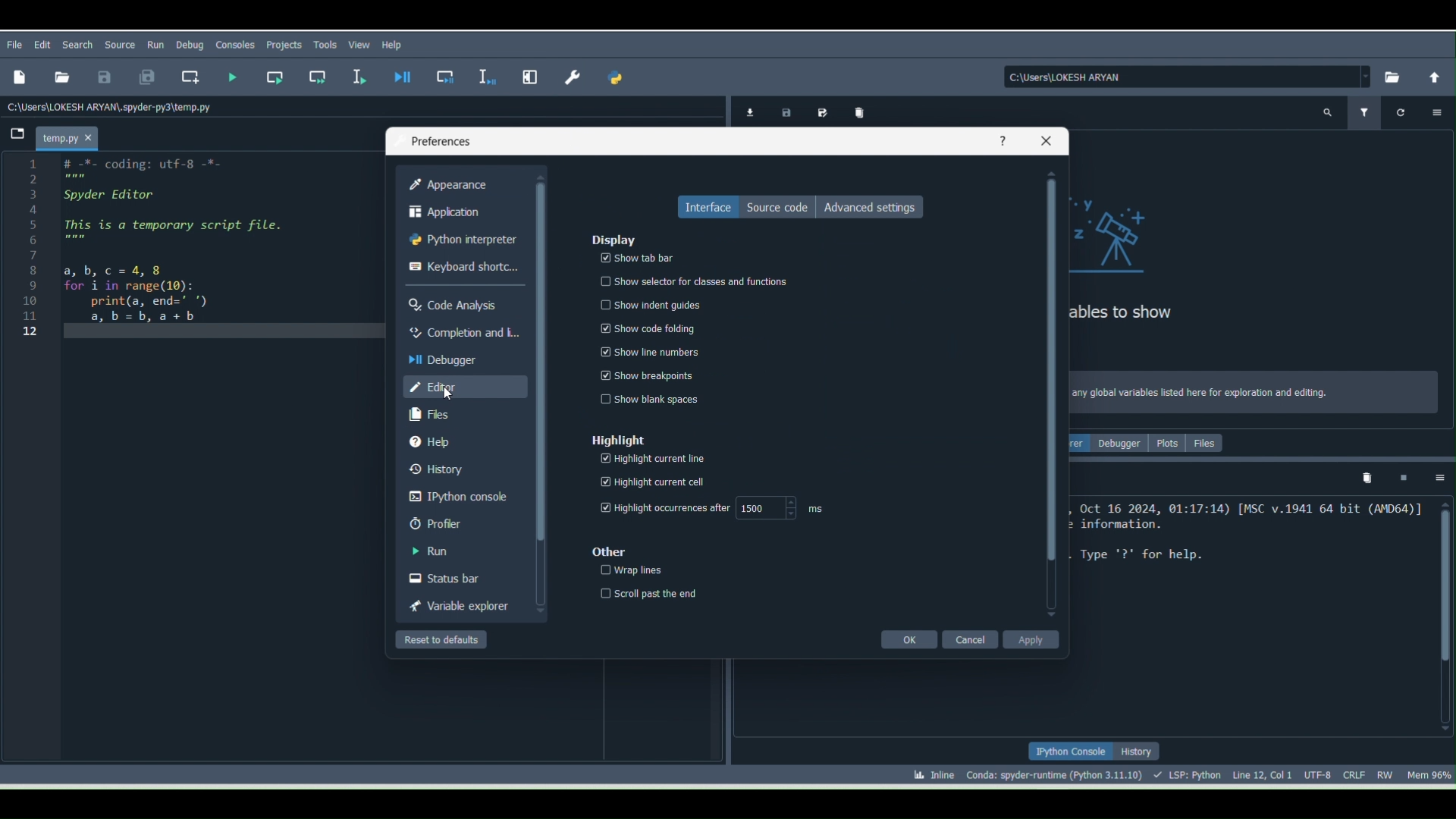  Describe the element at coordinates (1045, 143) in the screenshot. I see `Close` at that location.